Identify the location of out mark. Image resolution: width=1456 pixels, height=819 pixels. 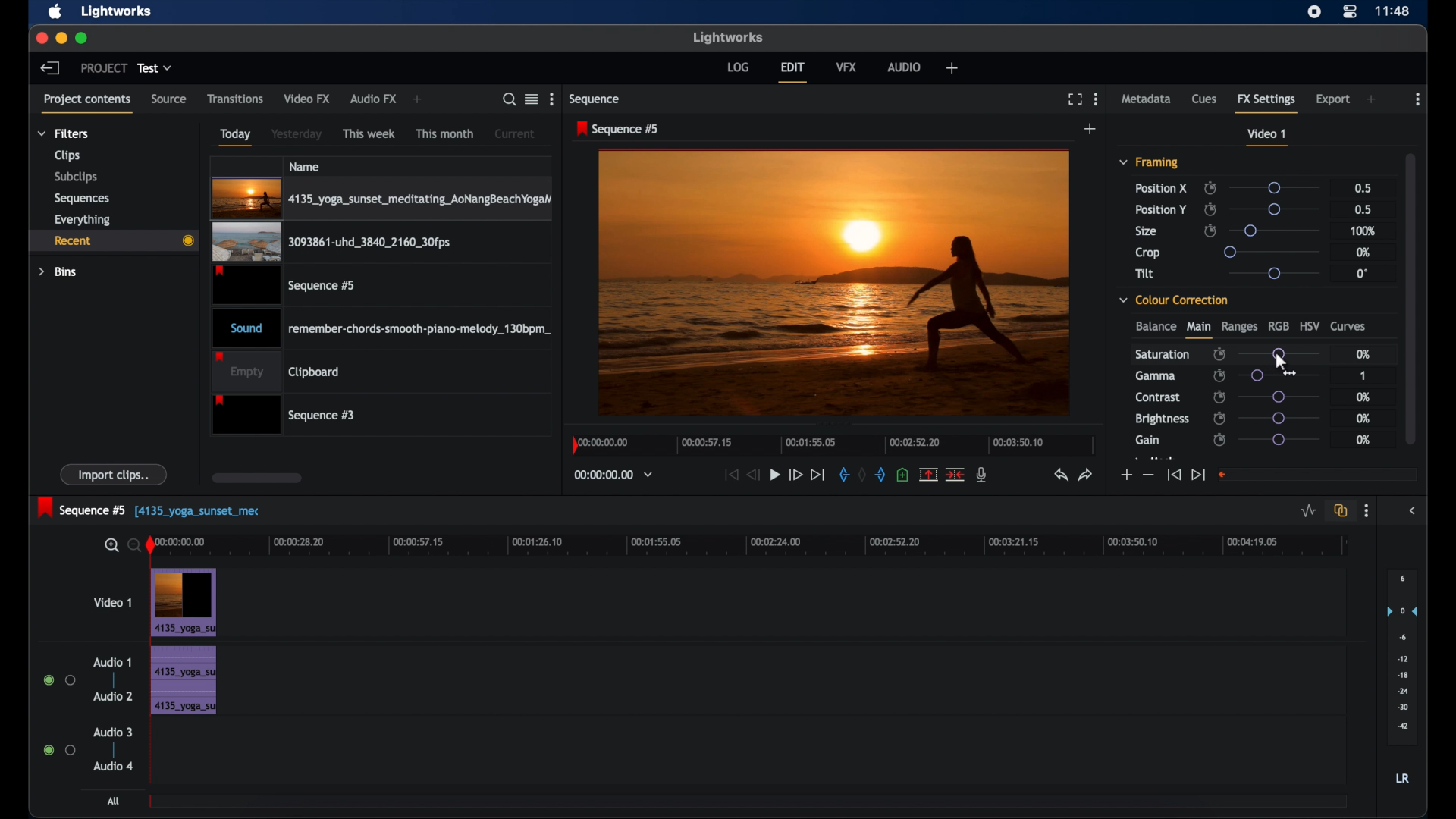
(881, 474).